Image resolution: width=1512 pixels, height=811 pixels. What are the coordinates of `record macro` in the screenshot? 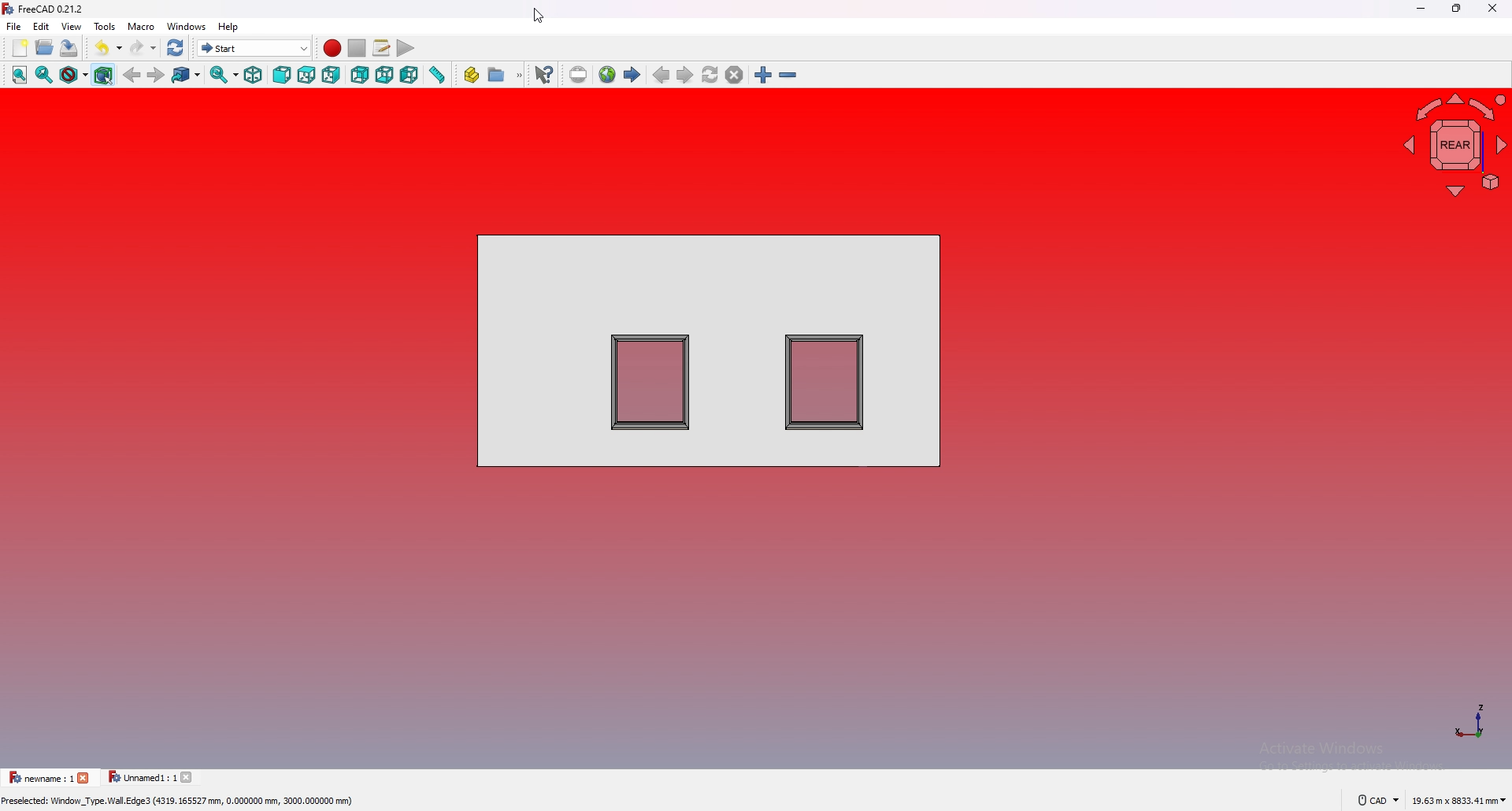 It's located at (332, 49).